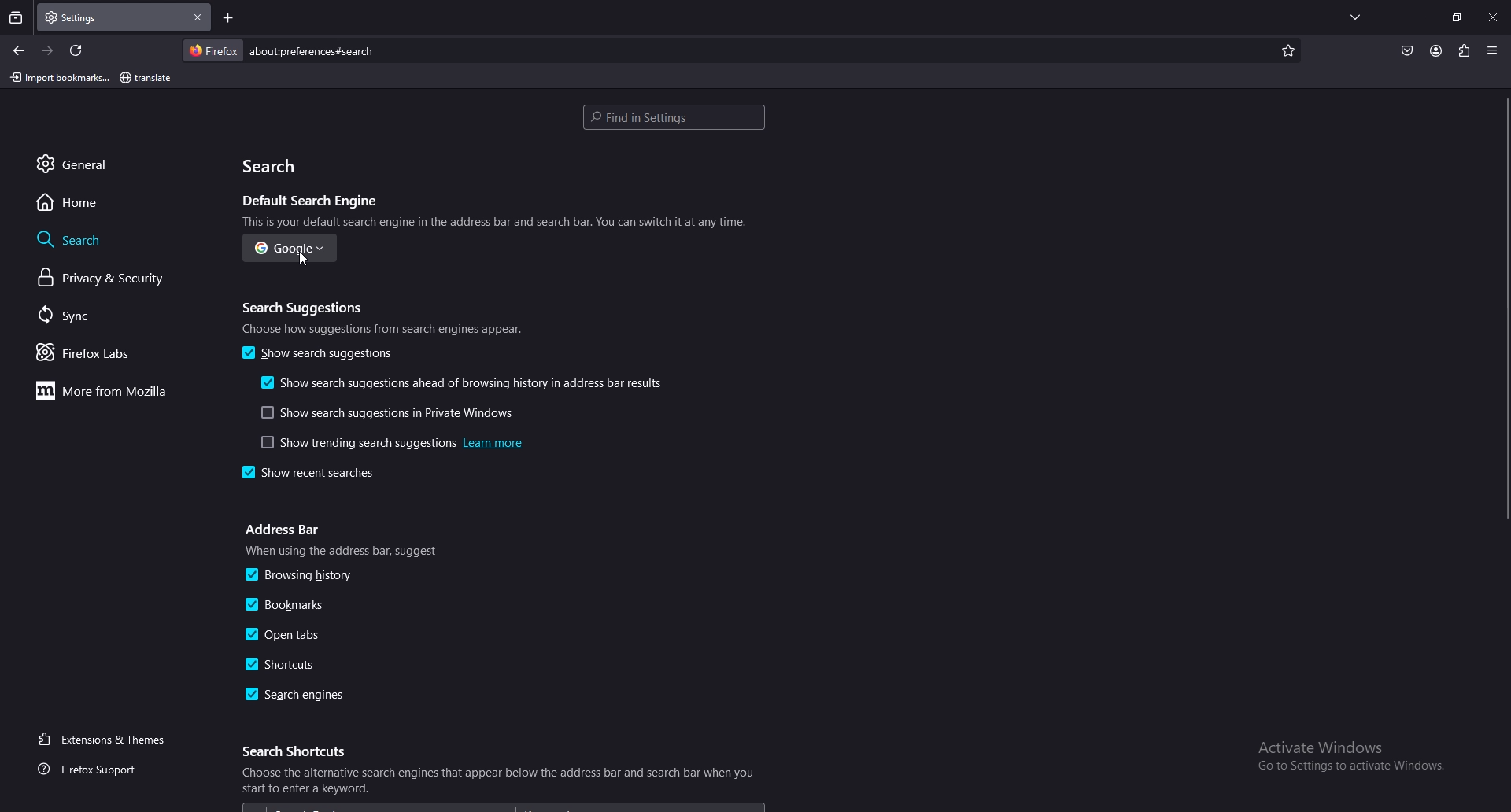 This screenshot has height=812, width=1511. Describe the element at coordinates (383, 329) in the screenshot. I see `info` at that location.